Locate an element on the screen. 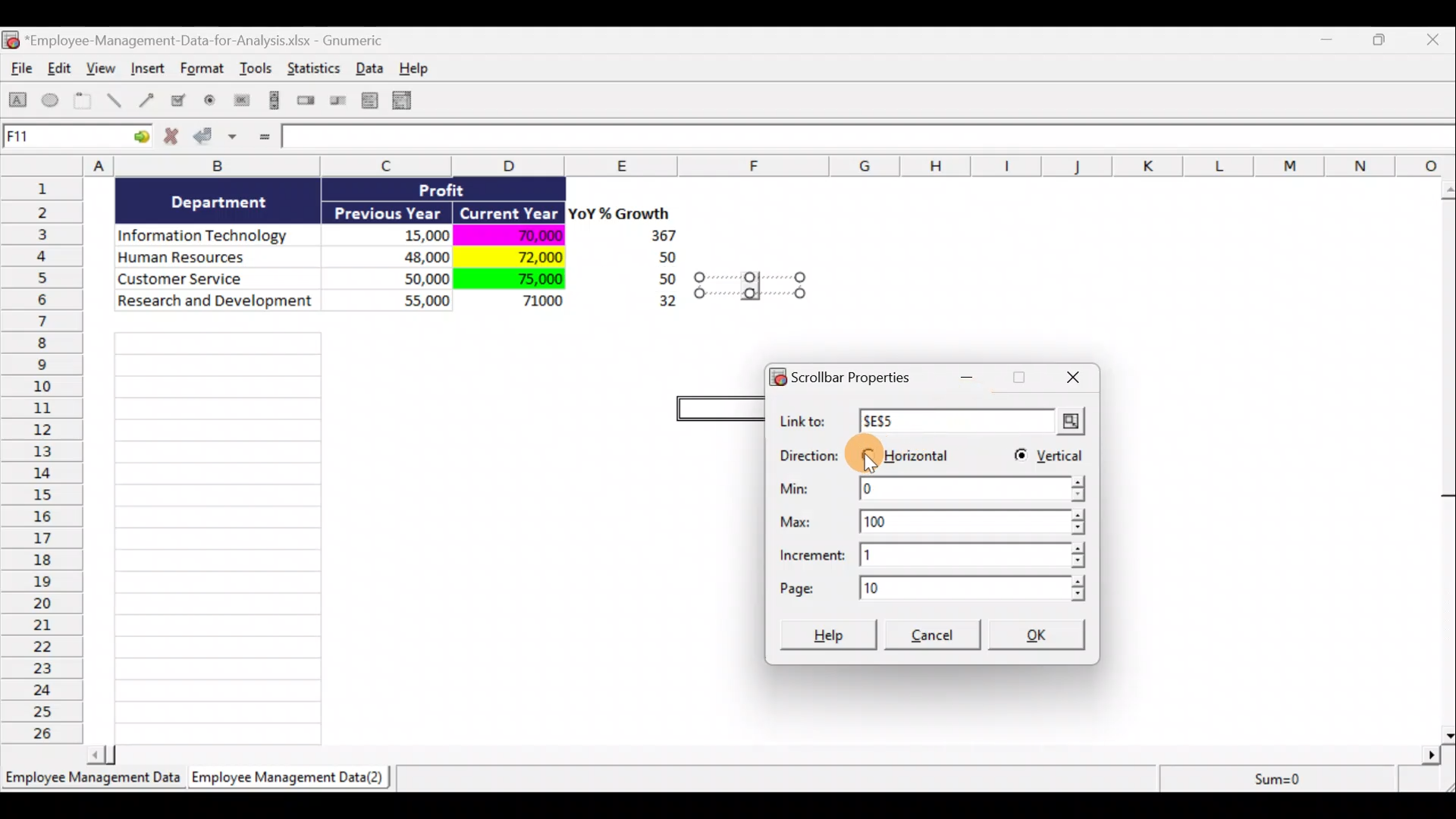 This screenshot has height=819, width=1456. Formula bar is located at coordinates (870, 140).